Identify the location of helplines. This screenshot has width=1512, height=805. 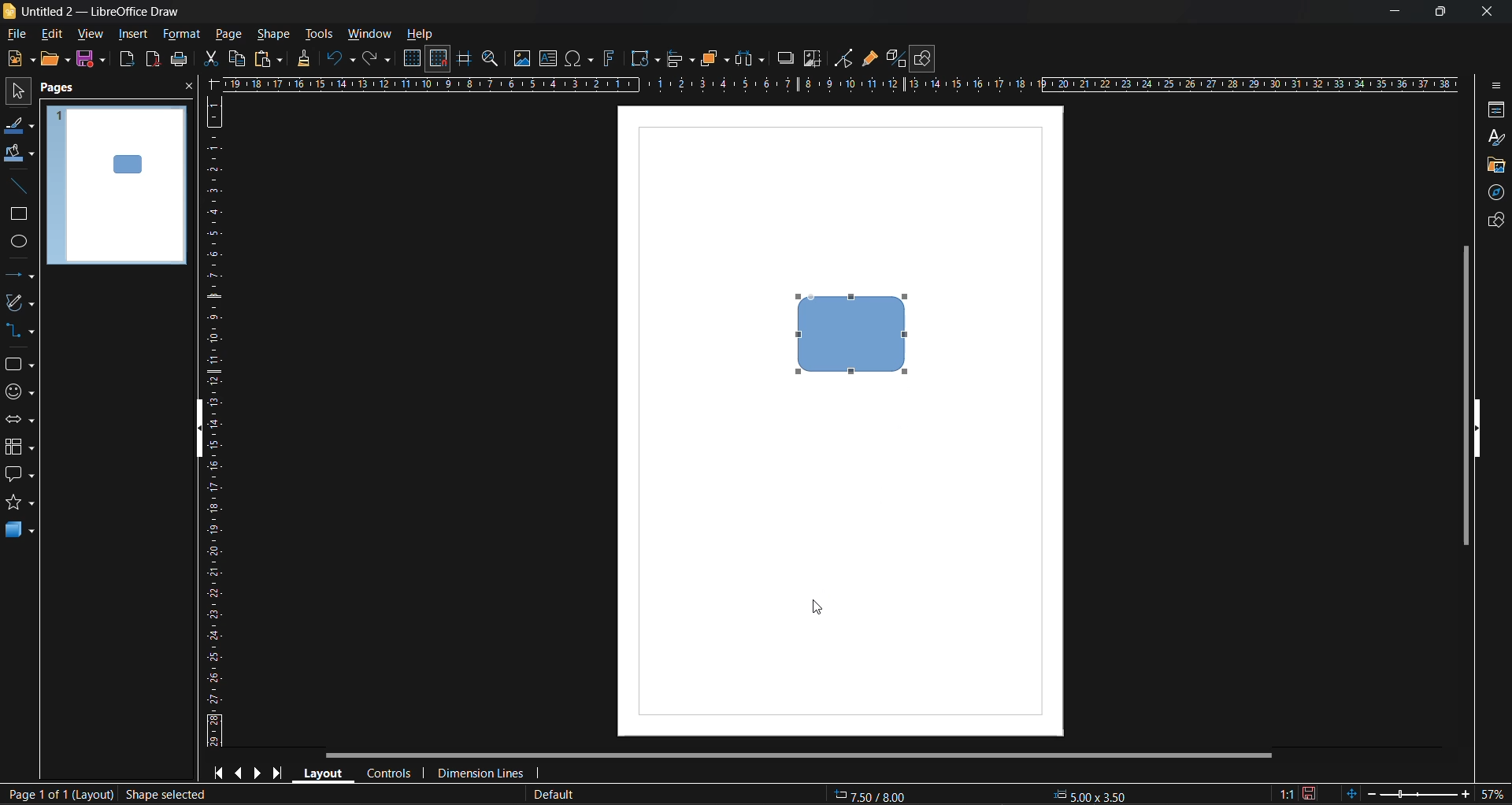
(462, 59).